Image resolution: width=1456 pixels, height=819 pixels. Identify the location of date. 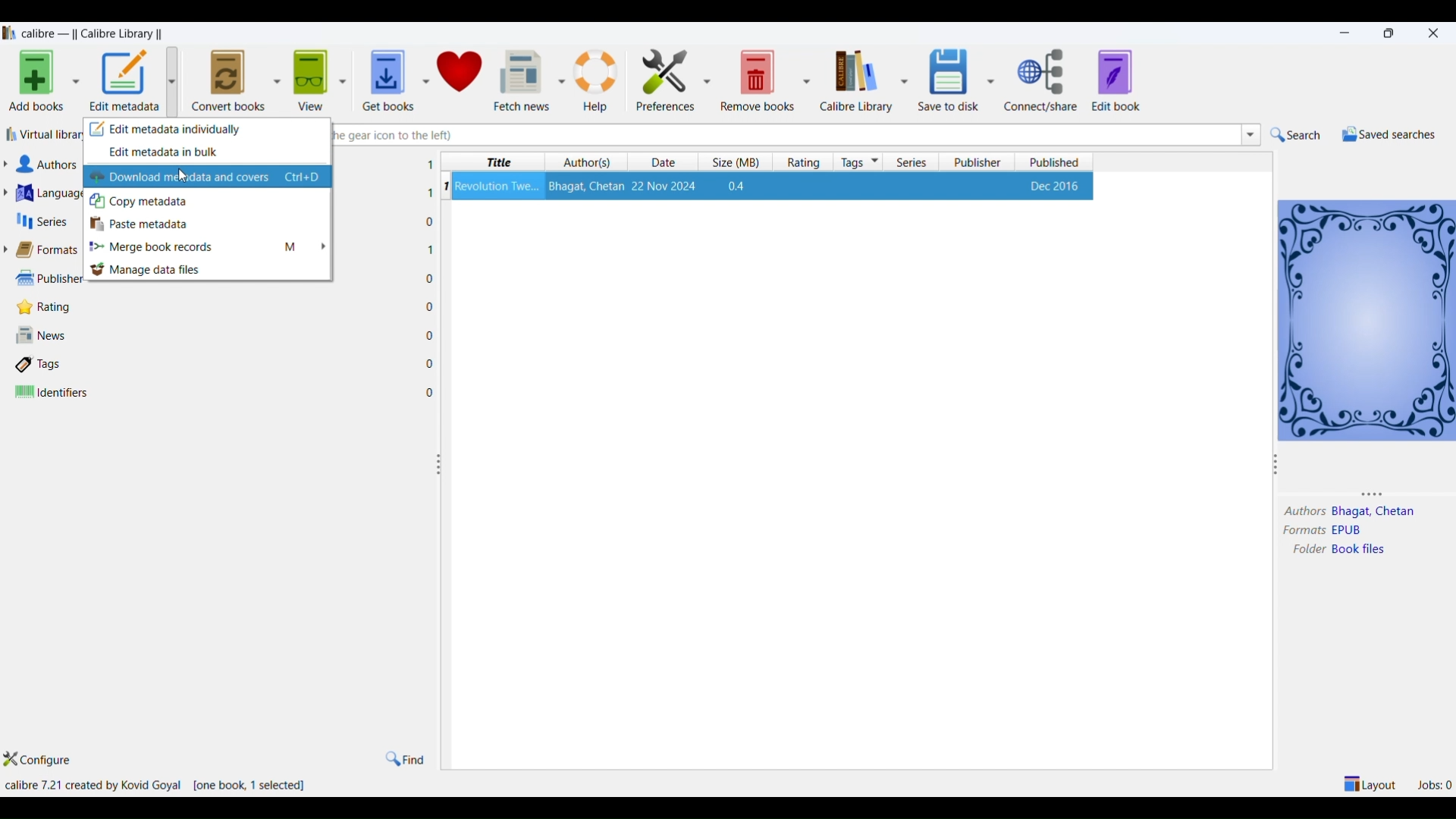
(667, 163).